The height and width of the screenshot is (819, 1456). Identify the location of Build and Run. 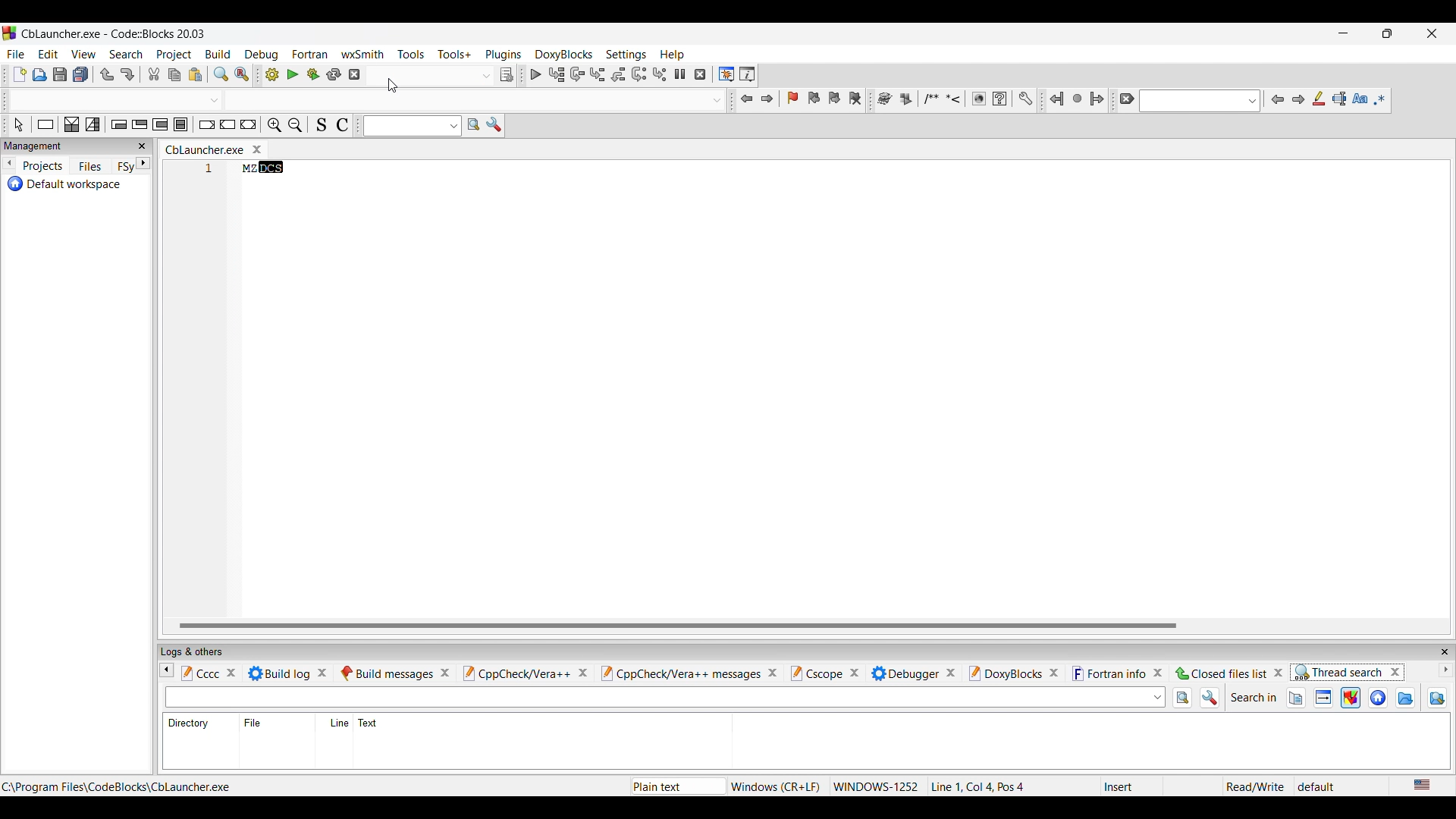
(313, 74).